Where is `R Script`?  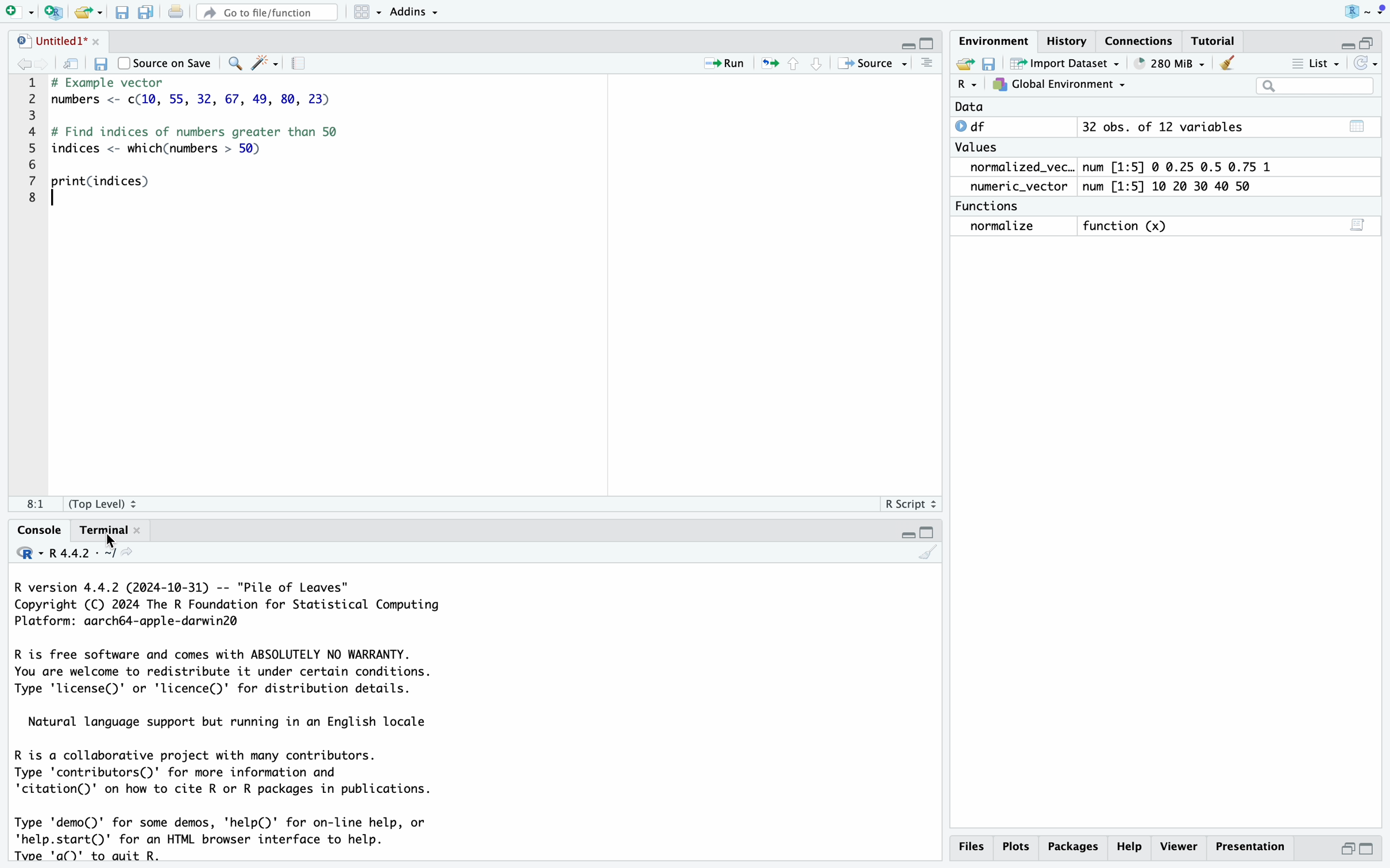 R Script is located at coordinates (907, 504).